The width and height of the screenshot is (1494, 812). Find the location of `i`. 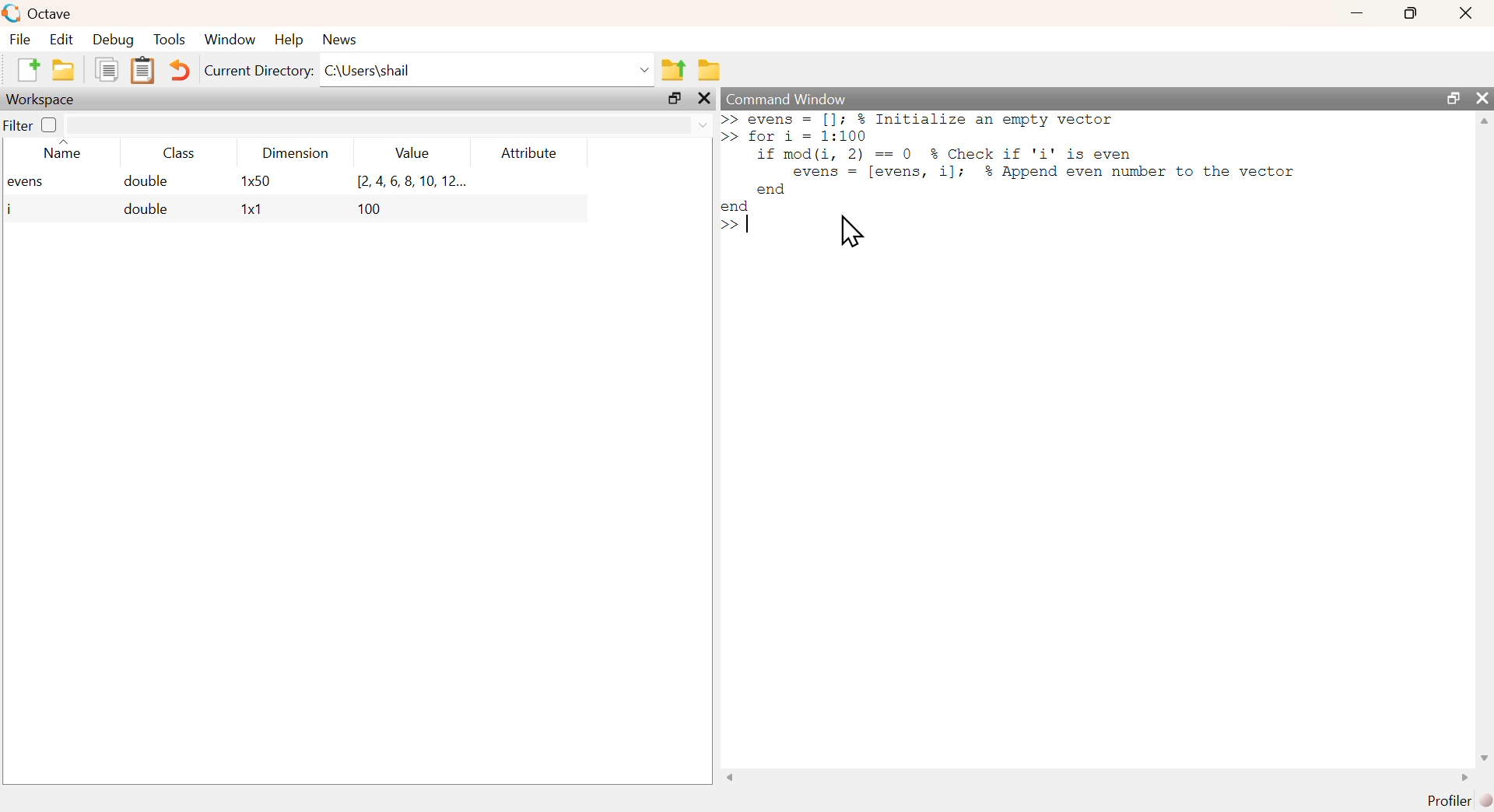

i is located at coordinates (12, 209).